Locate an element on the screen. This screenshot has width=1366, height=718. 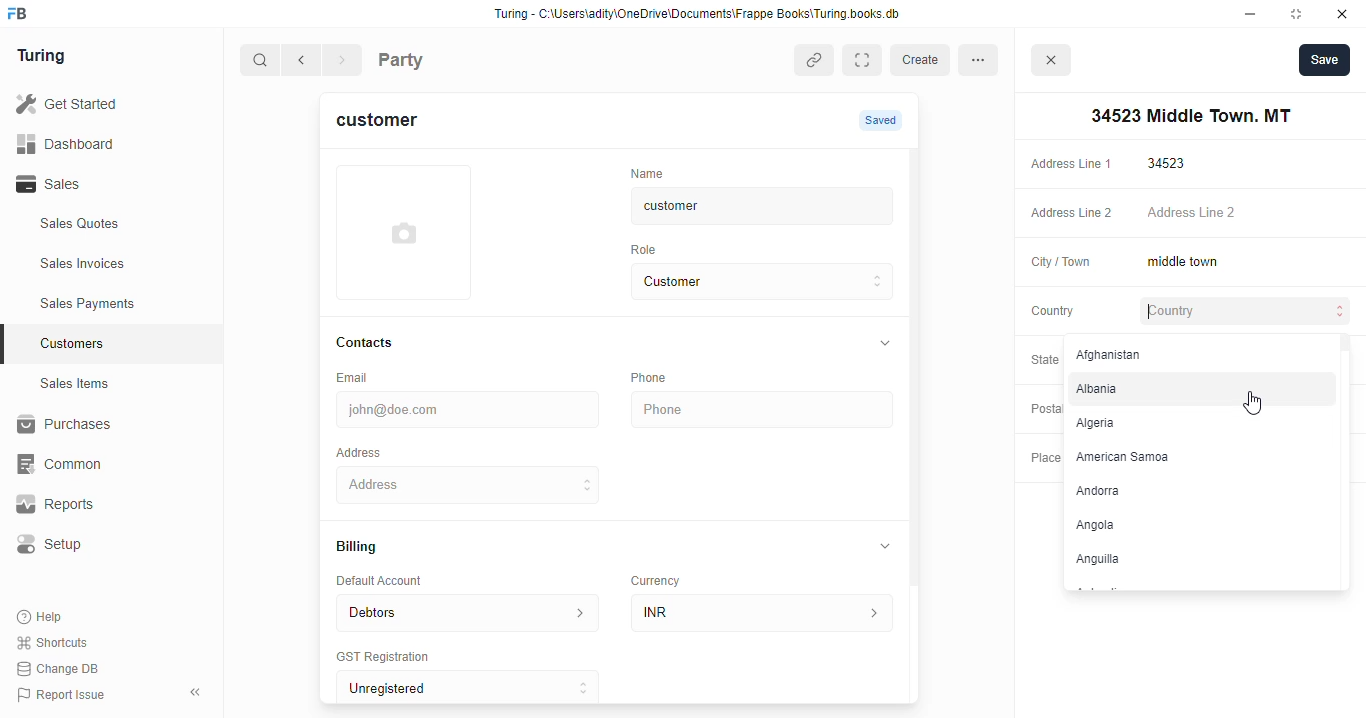
Unregistered is located at coordinates (477, 688).